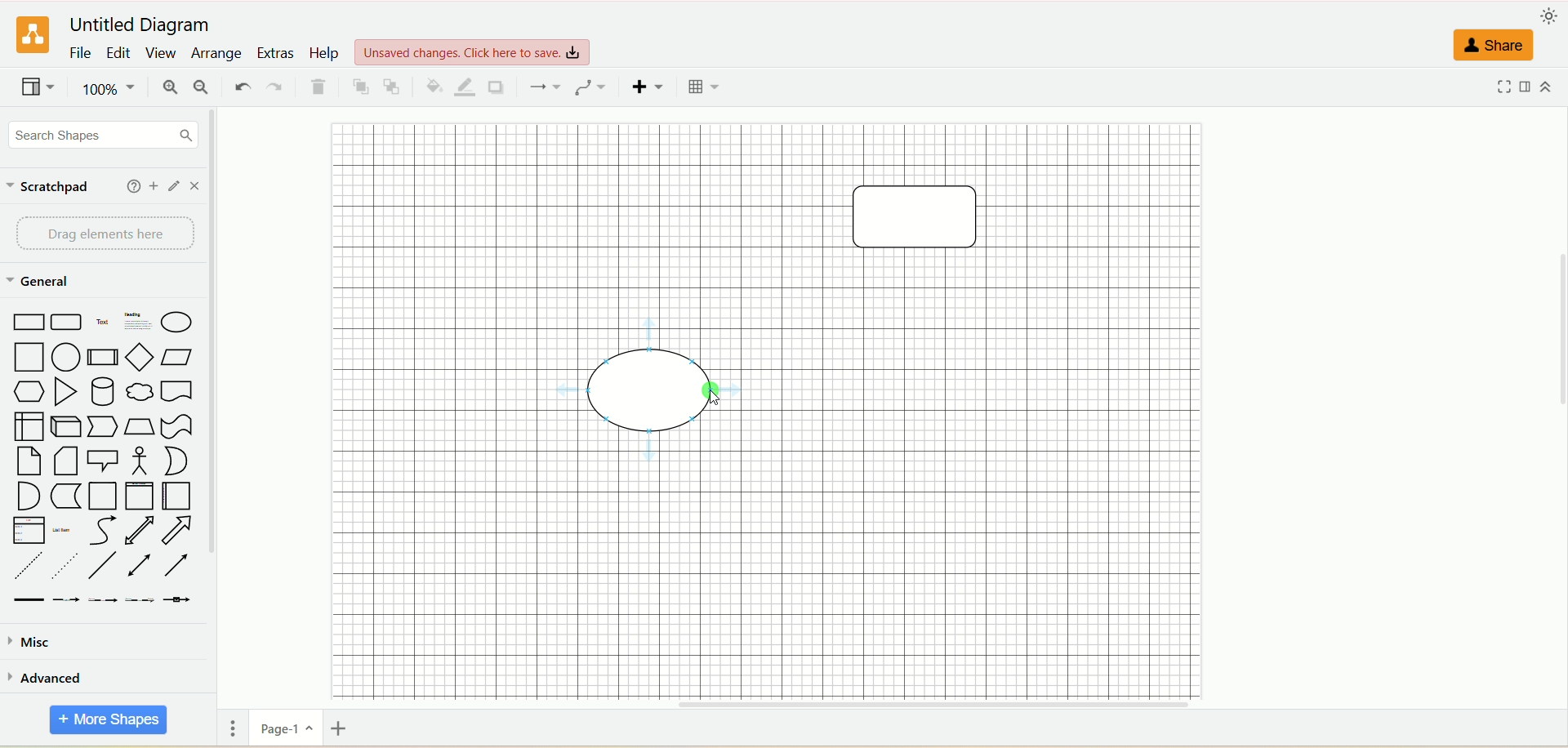 The image size is (1568, 748). What do you see at coordinates (104, 235) in the screenshot?
I see `drag element here` at bounding box center [104, 235].